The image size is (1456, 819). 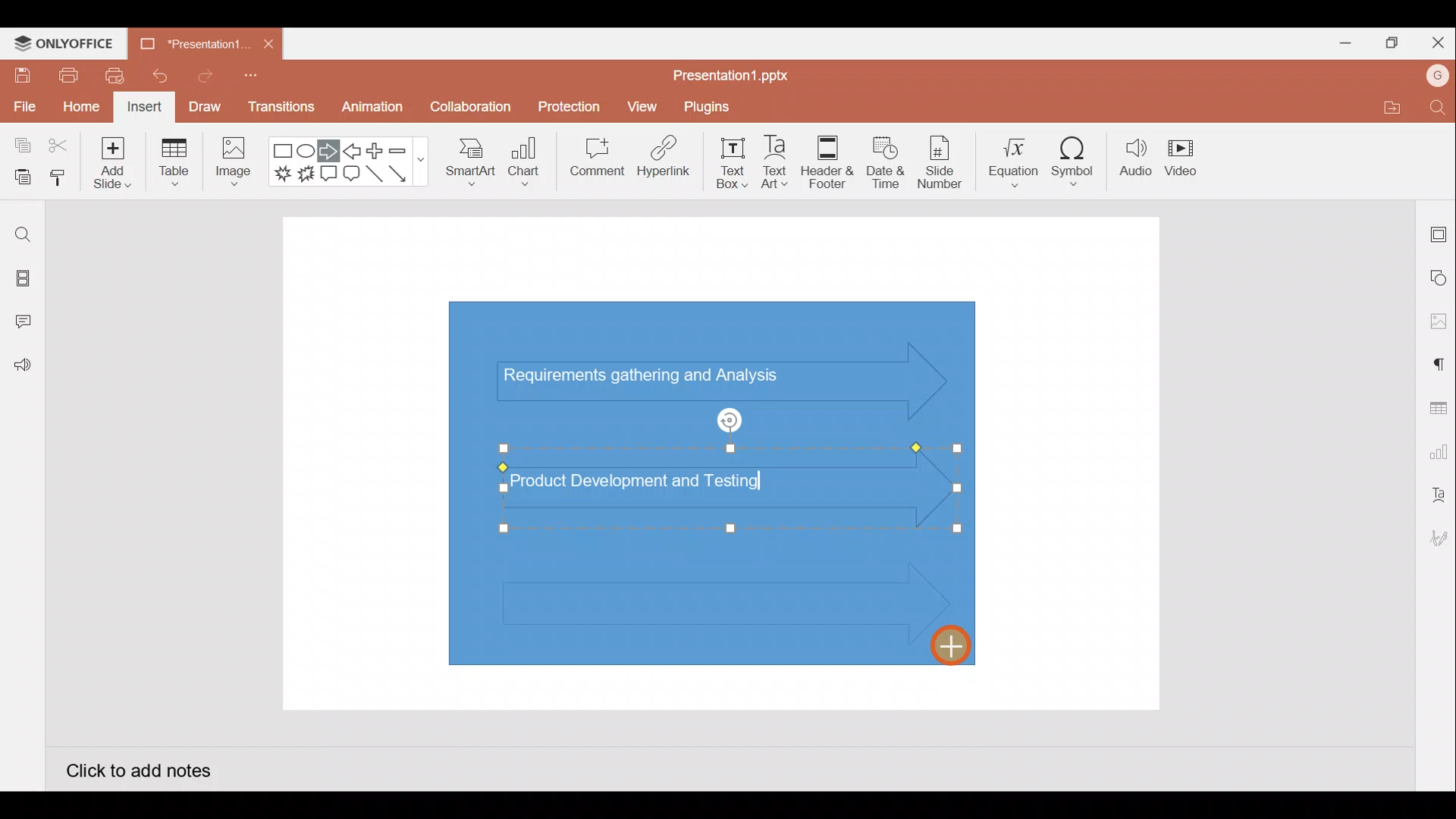 What do you see at coordinates (654, 378) in the screenshot?
I see `Text (Requirements gathering and Analysis) in arrow shape` at bounding box center [654, 378].